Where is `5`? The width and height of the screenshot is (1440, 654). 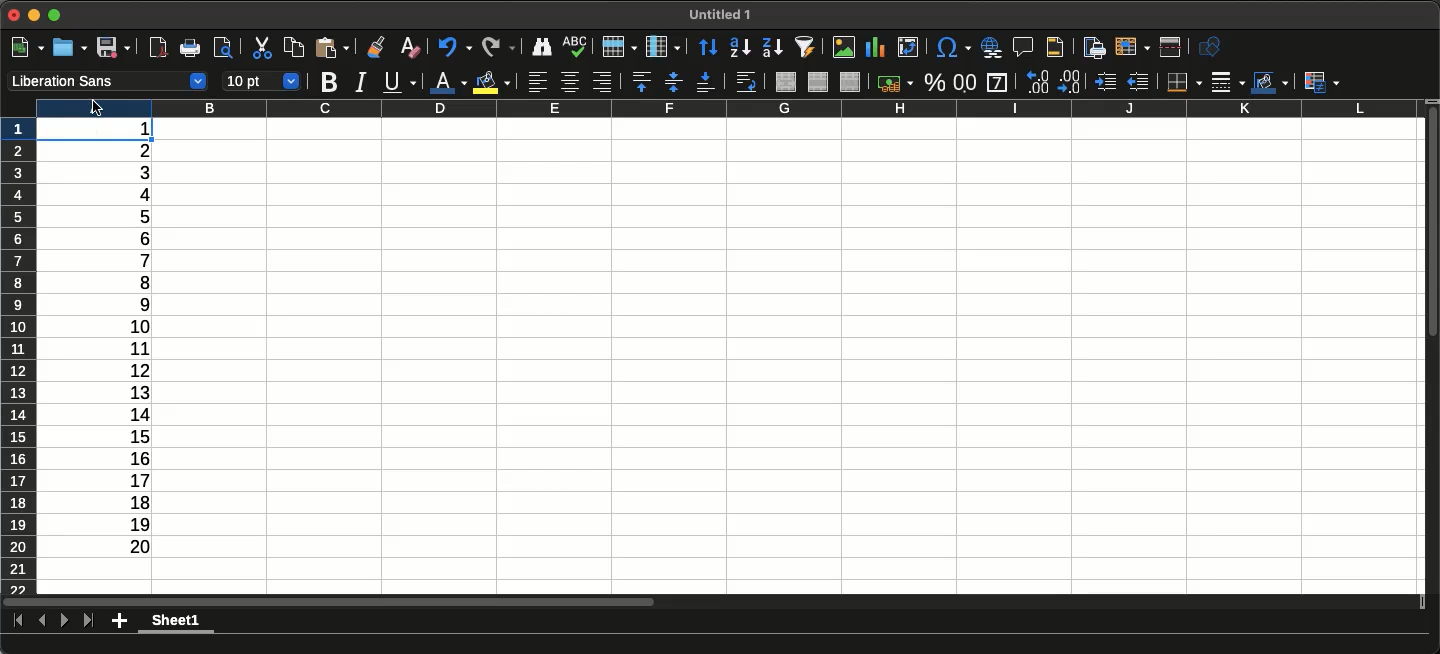 5 is located at coordinates (135, 218).